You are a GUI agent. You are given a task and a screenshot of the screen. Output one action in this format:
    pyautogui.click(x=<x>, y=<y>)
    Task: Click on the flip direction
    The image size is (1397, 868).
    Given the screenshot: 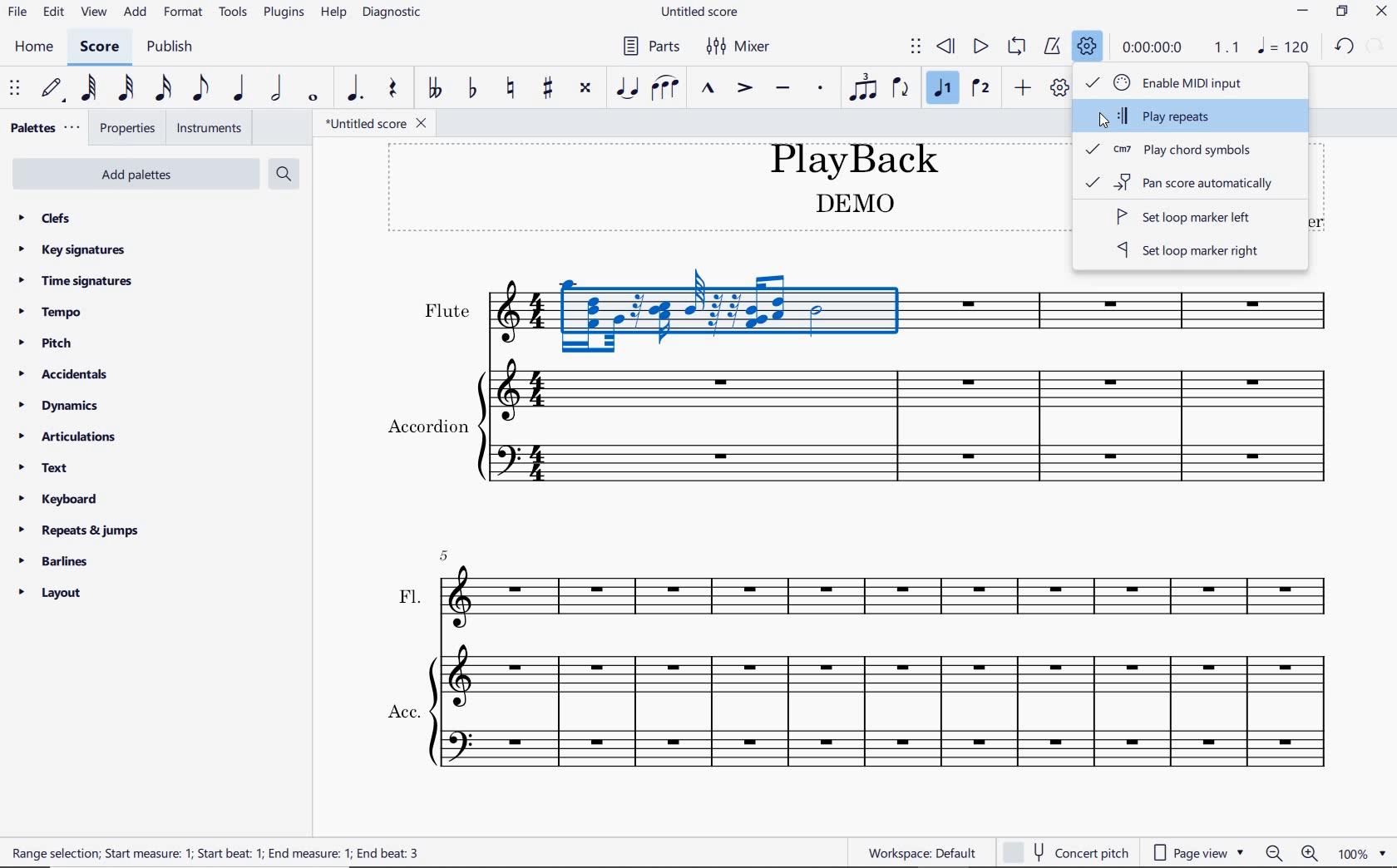 What is the action you would take?
    pyautogui.click(x=900, y=90)
    